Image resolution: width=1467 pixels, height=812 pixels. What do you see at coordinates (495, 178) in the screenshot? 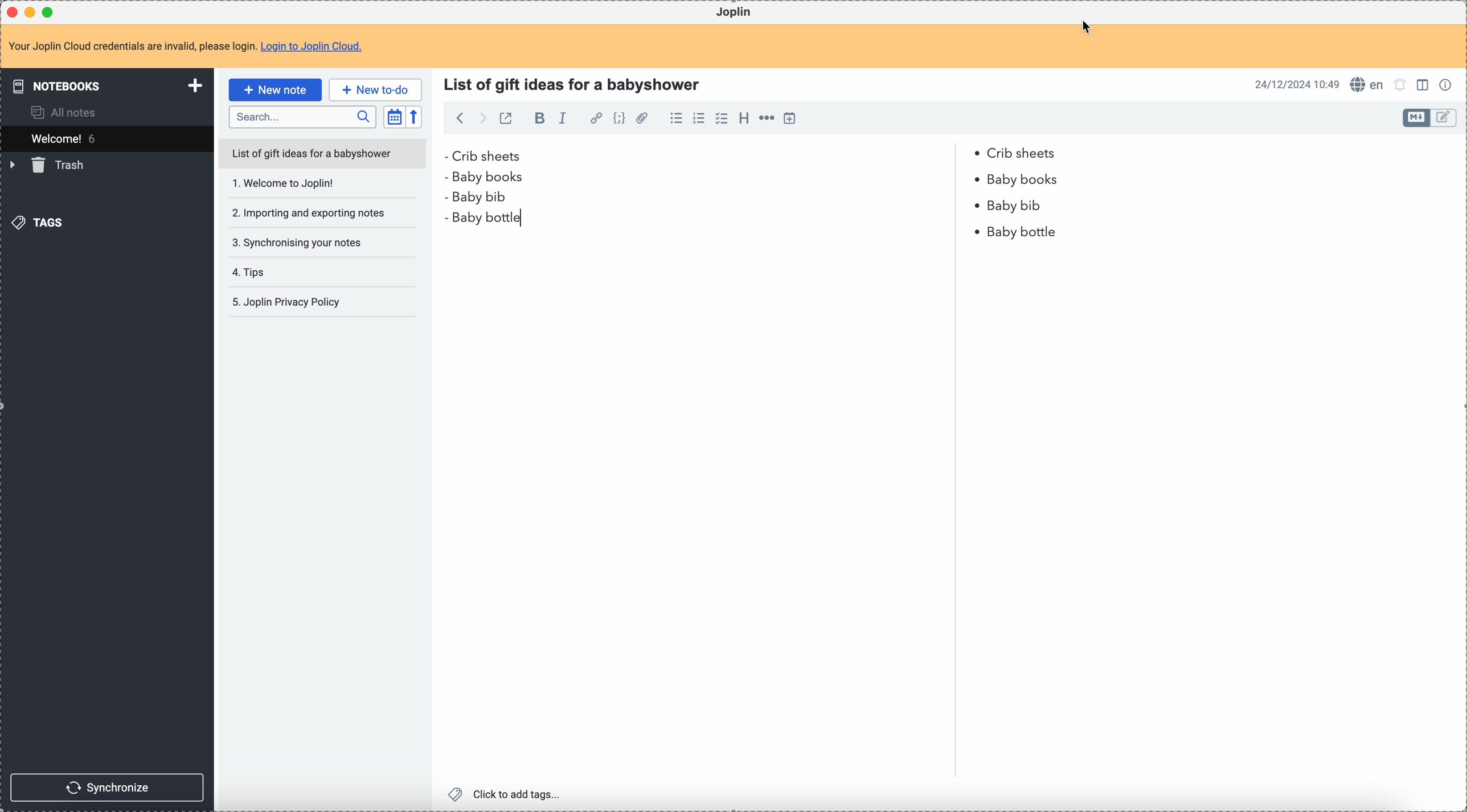
I see `baby books` at bounding box center [495, 178].